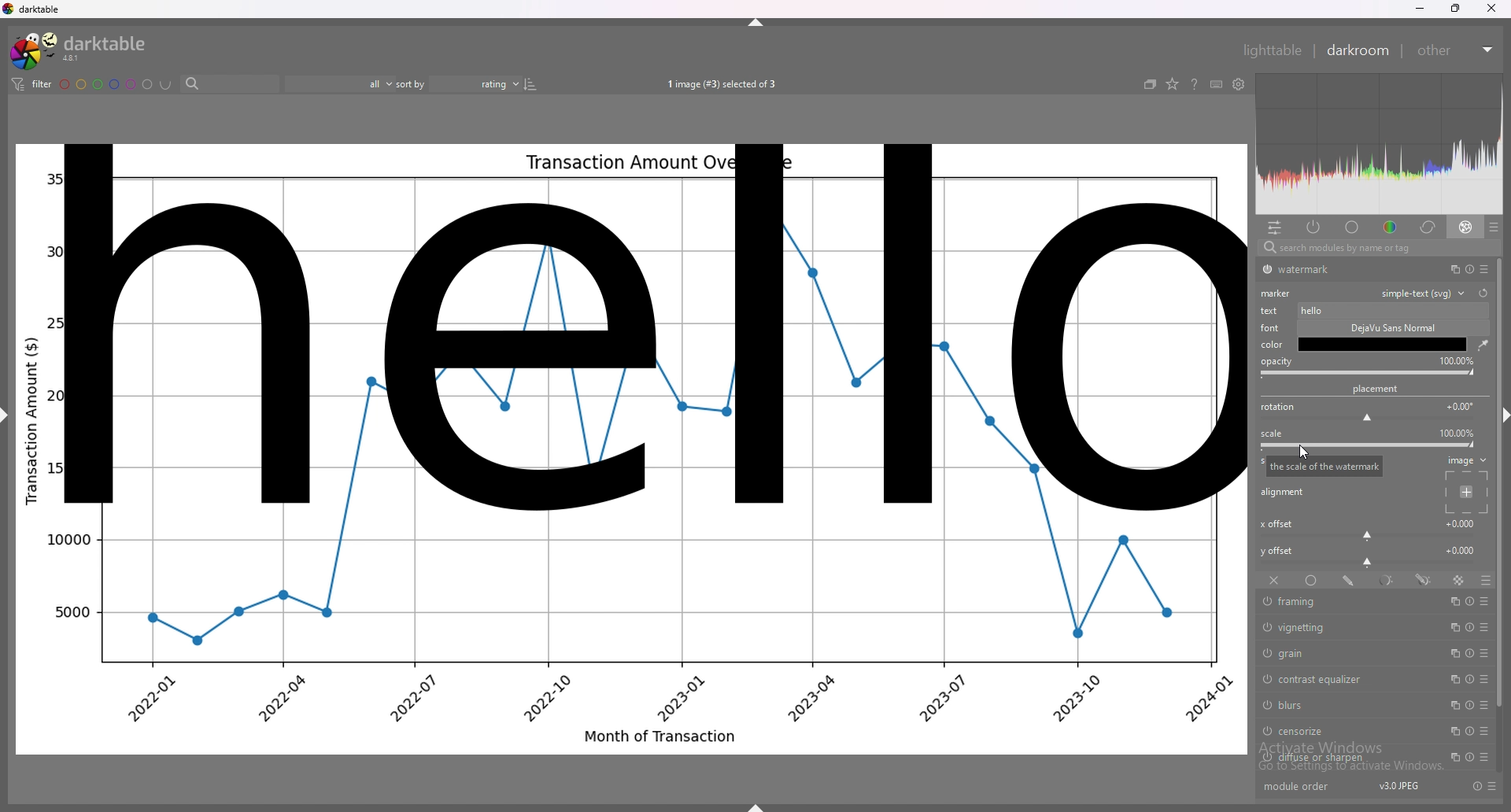 Image resolution: width=1511 pixels, height=812 pixels. What do you see at coordinates (1339, 730) in the screenshot?
I see `censorize` at bounding box center [1339, 730].